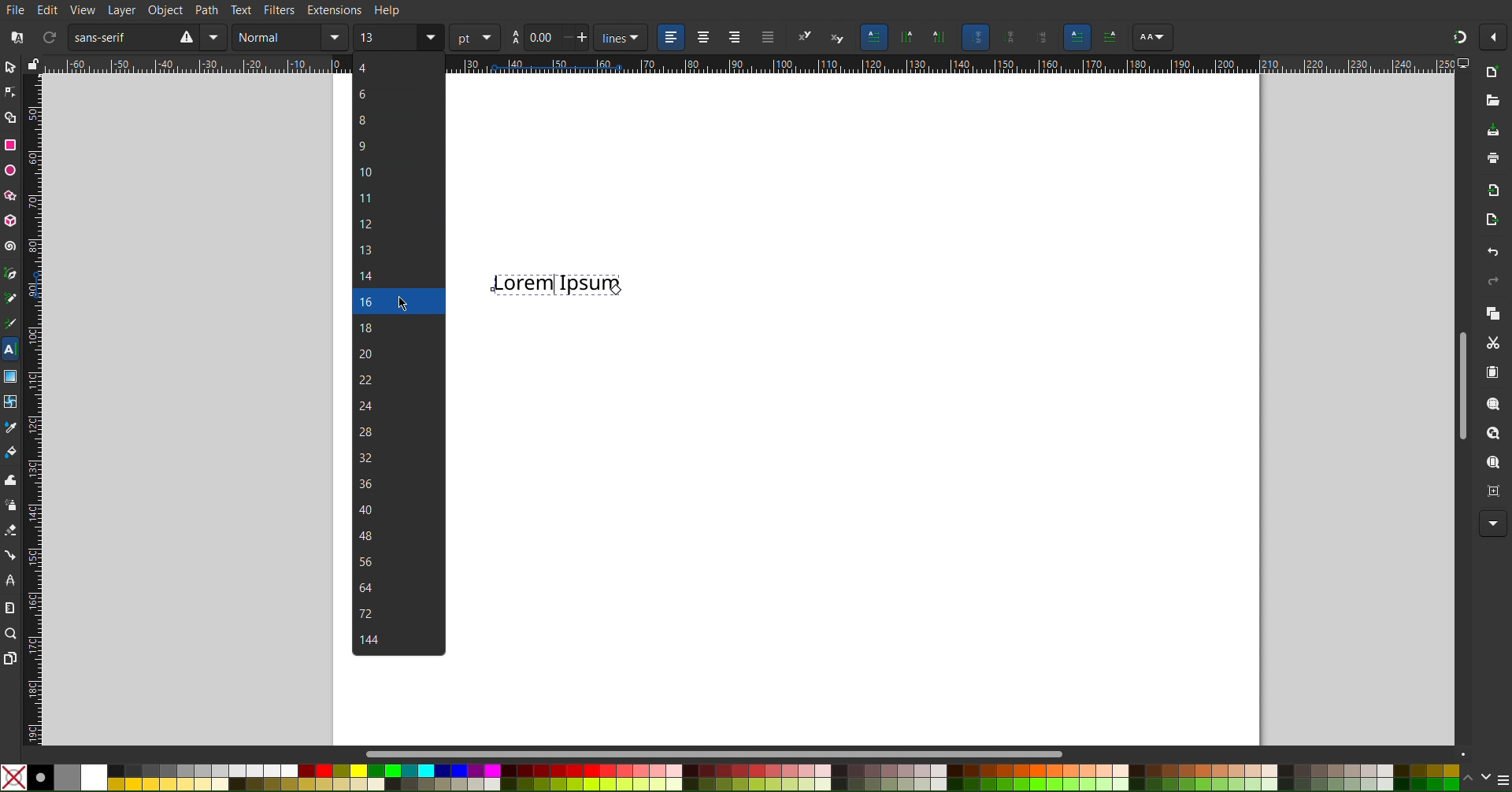 This screenshot has width=1512, height=792. Describe the element at coordinates (33, 62) in the screenshot. I see `lock` at that location.